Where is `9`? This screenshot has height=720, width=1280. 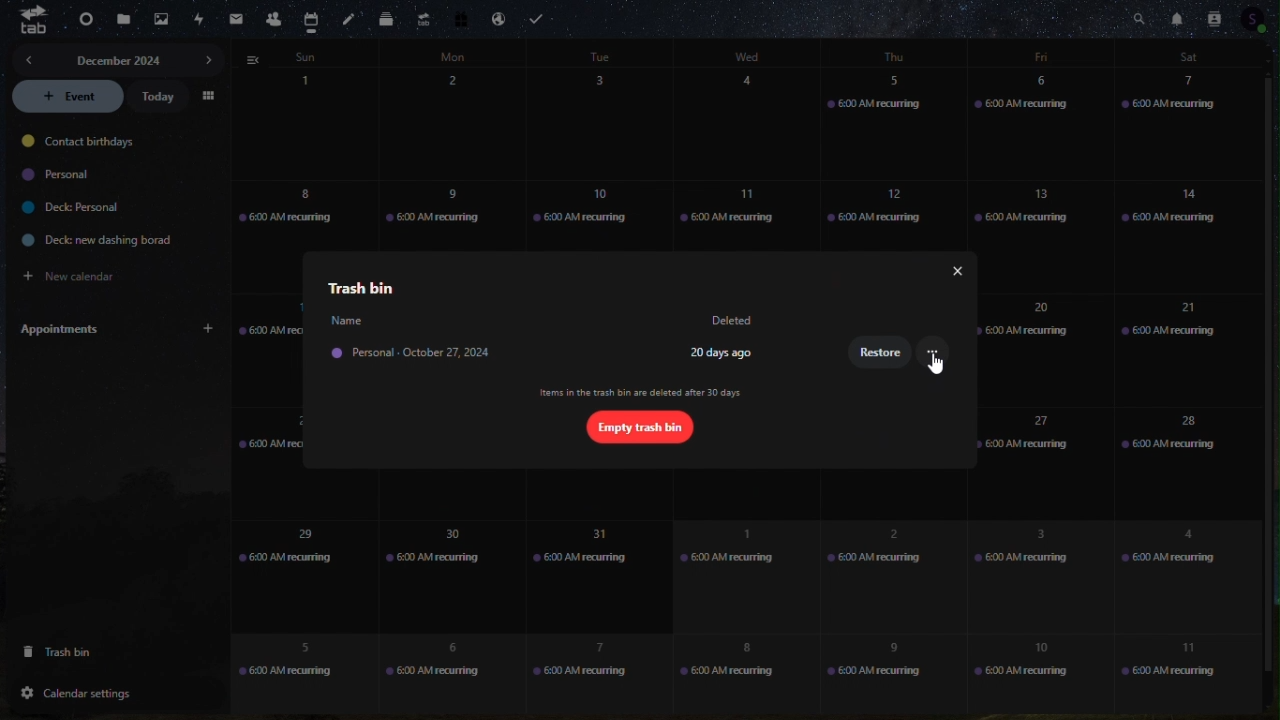
9 is located at coordinates (447, 211).